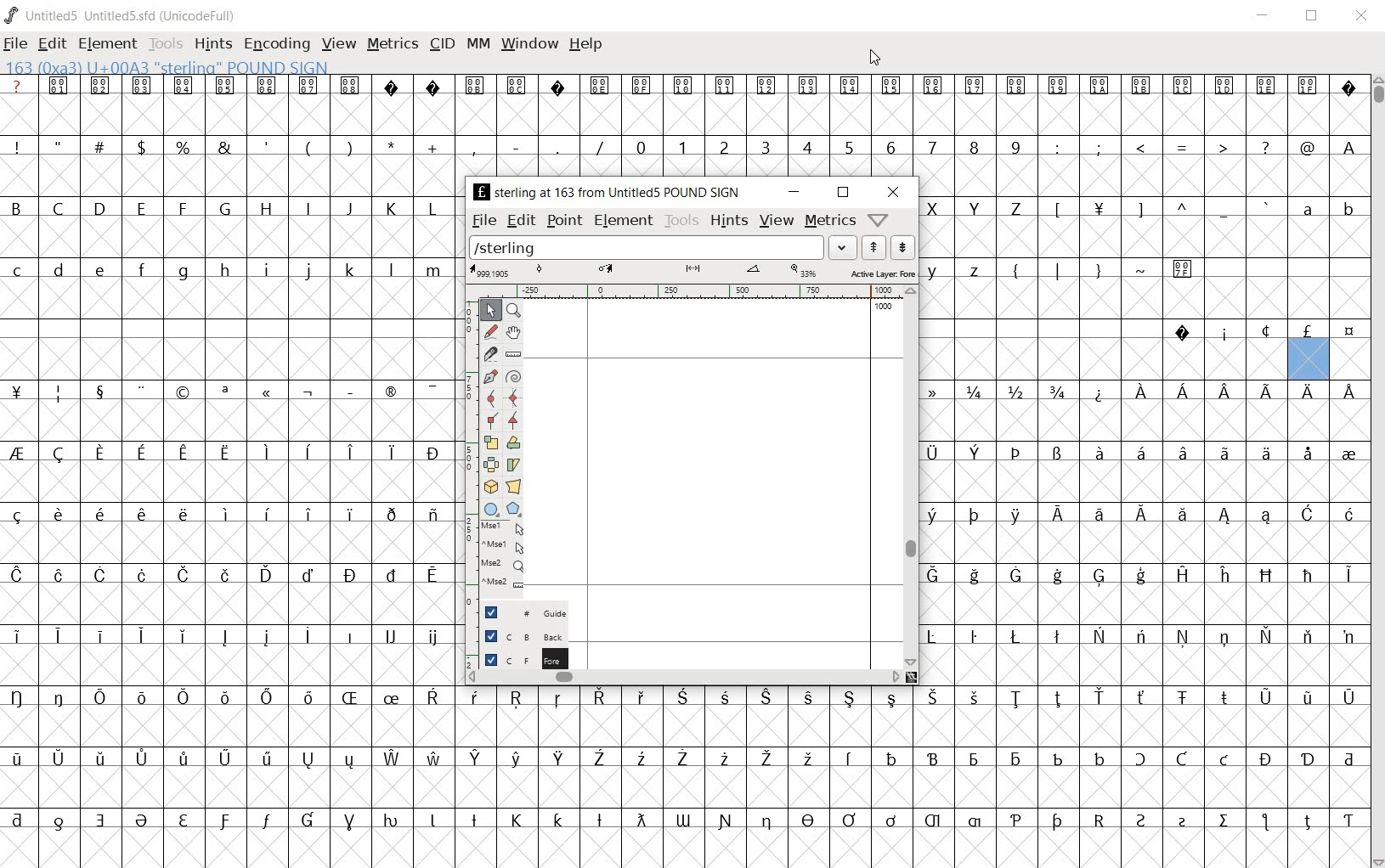 Image resolution: width=1385 pixels, height=868 pixels. What do you see at coordinates (892, 758) in the screenshot?
I see `Symbol` at bounding box center [892, 758].